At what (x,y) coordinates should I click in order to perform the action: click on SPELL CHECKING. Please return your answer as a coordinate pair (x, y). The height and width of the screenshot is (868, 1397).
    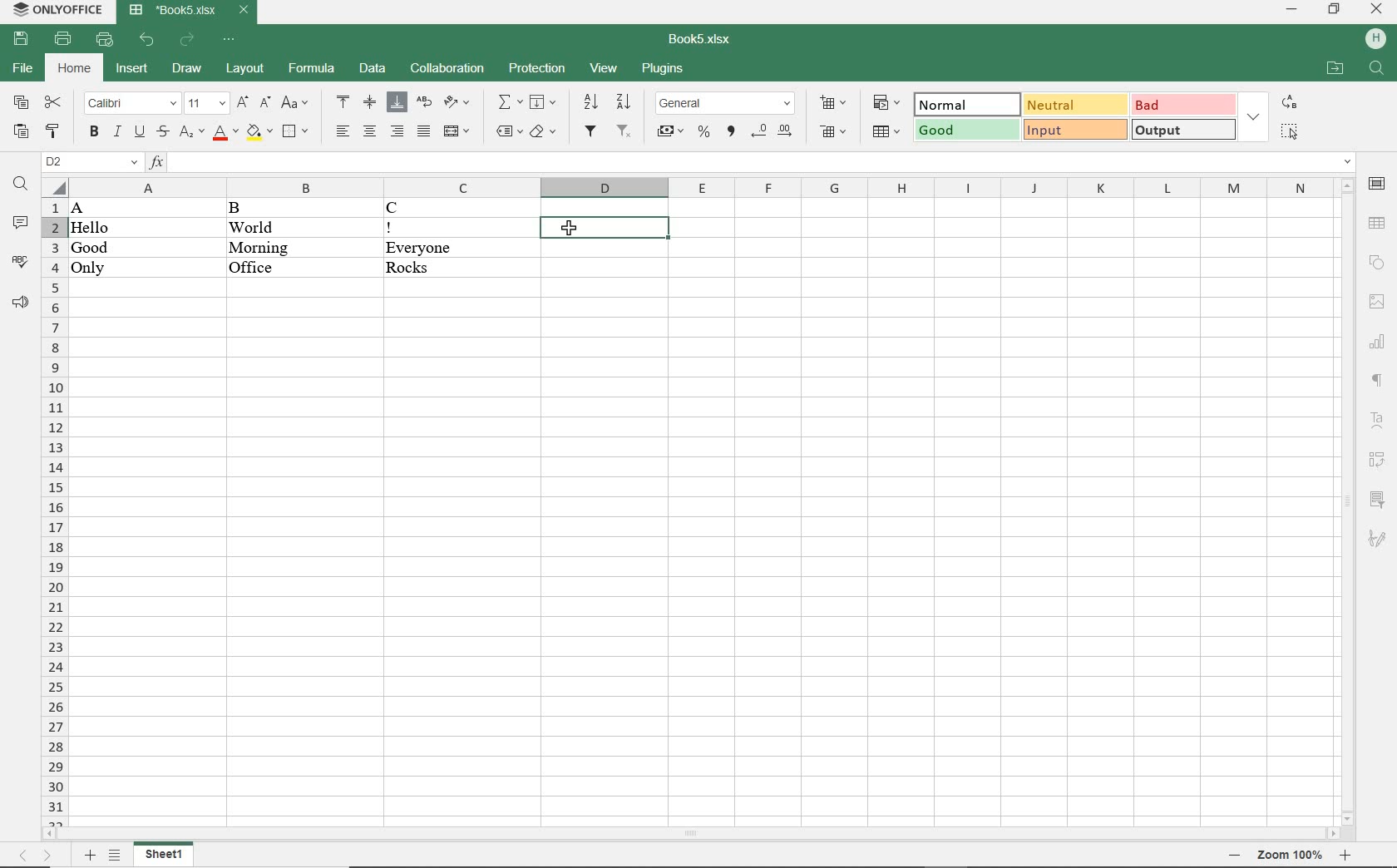
    Looking at the image, I should click on (19, 259).